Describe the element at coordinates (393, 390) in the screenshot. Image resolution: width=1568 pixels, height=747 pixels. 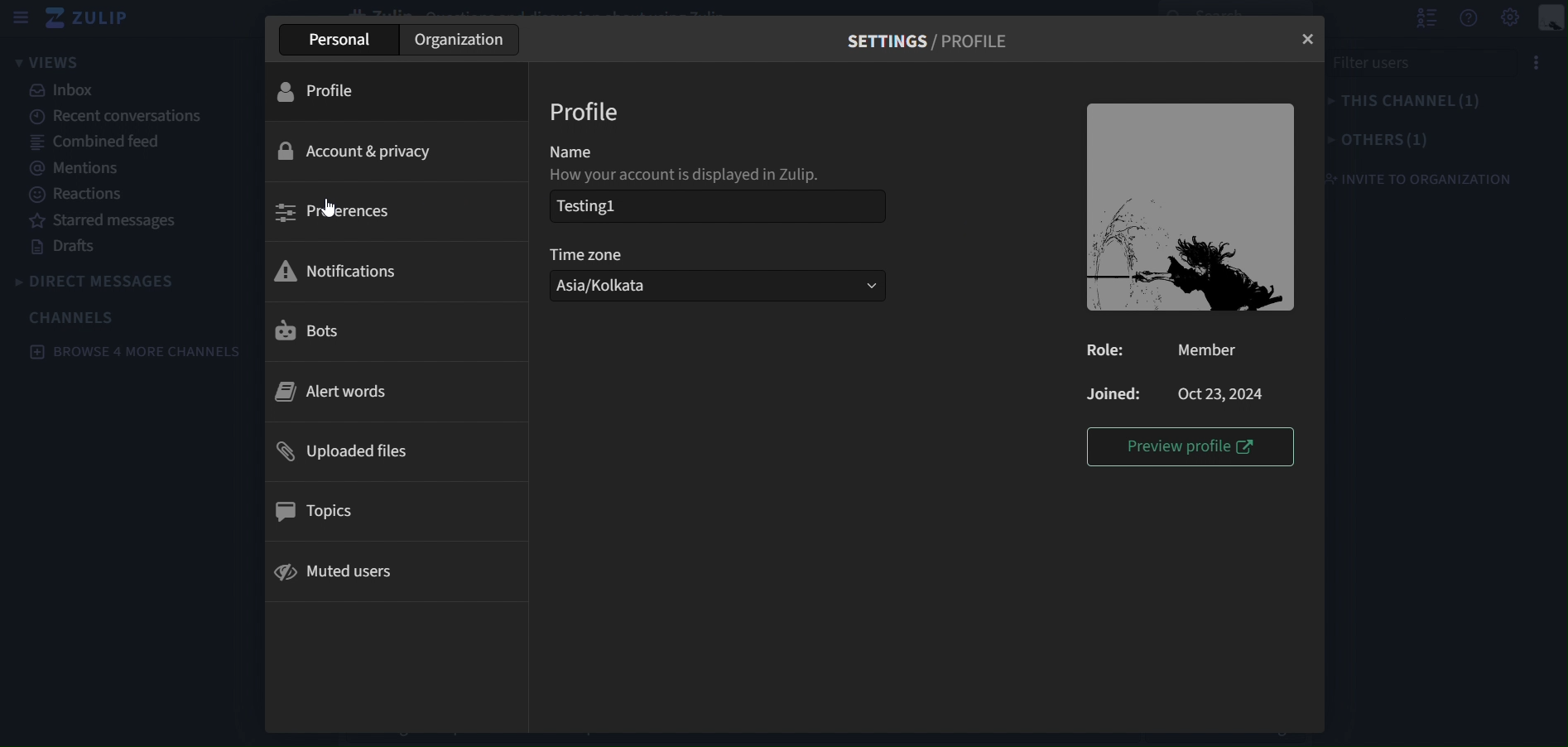
I see `alert words` at that location.